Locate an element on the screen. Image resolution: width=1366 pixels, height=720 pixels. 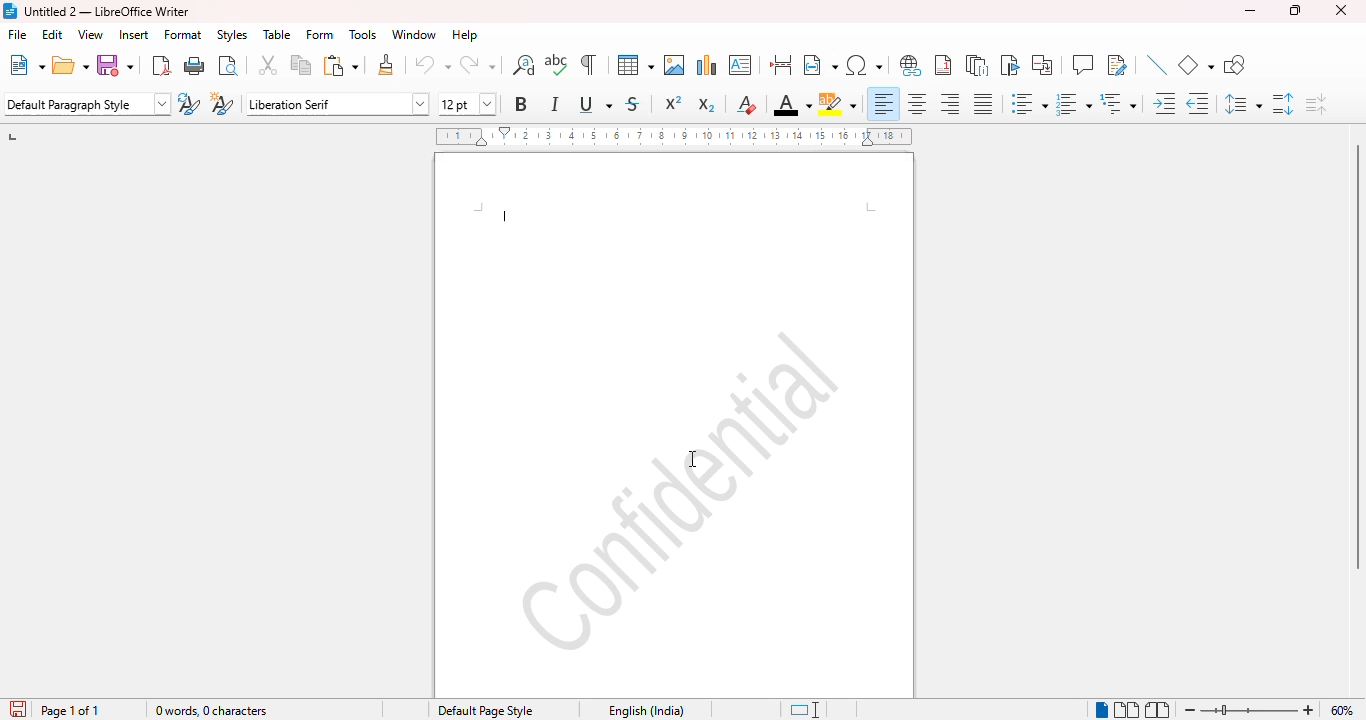
font color is located at coordinates (792, 106).